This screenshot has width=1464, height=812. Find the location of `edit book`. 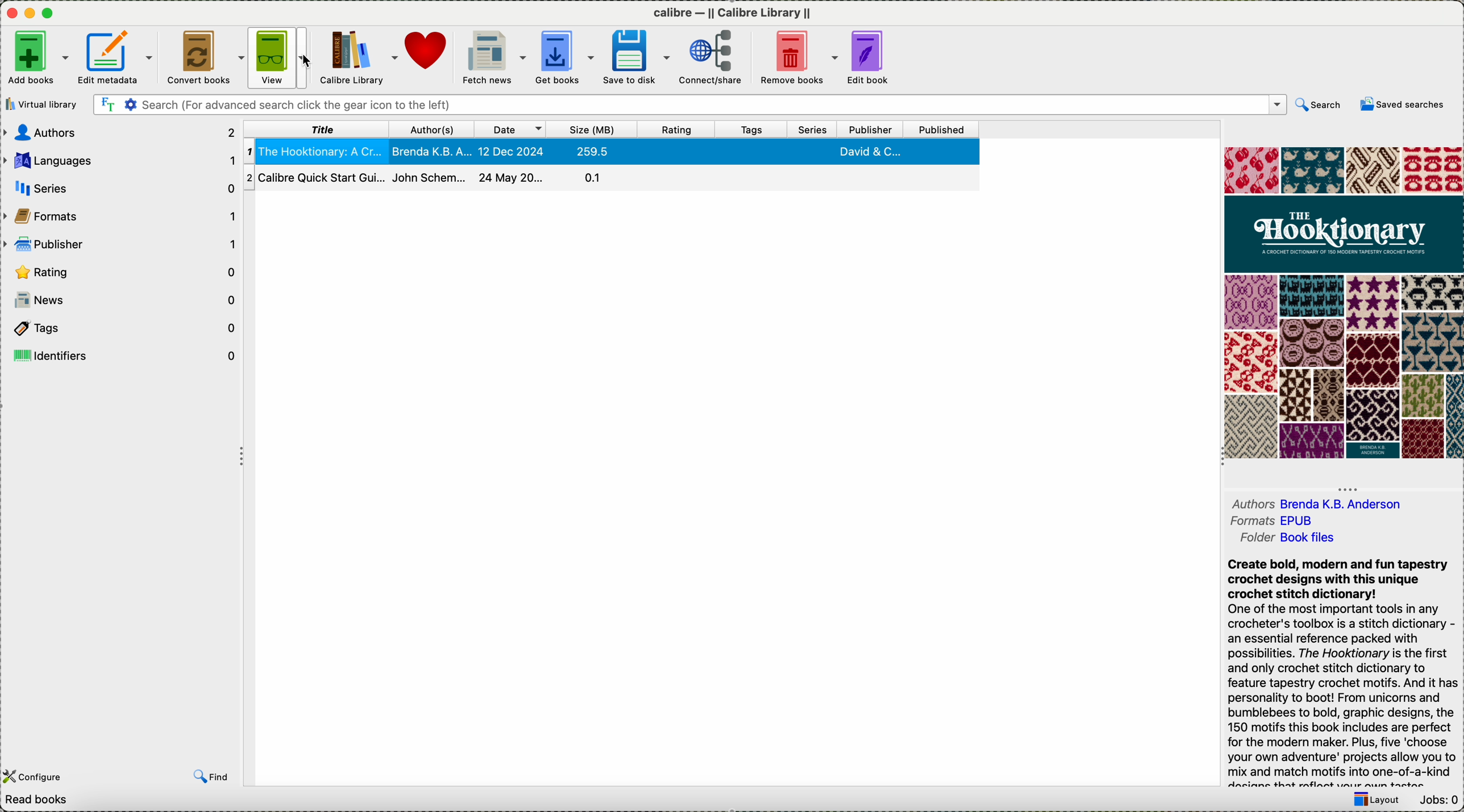

edit book is located at coordinates (869, 56).